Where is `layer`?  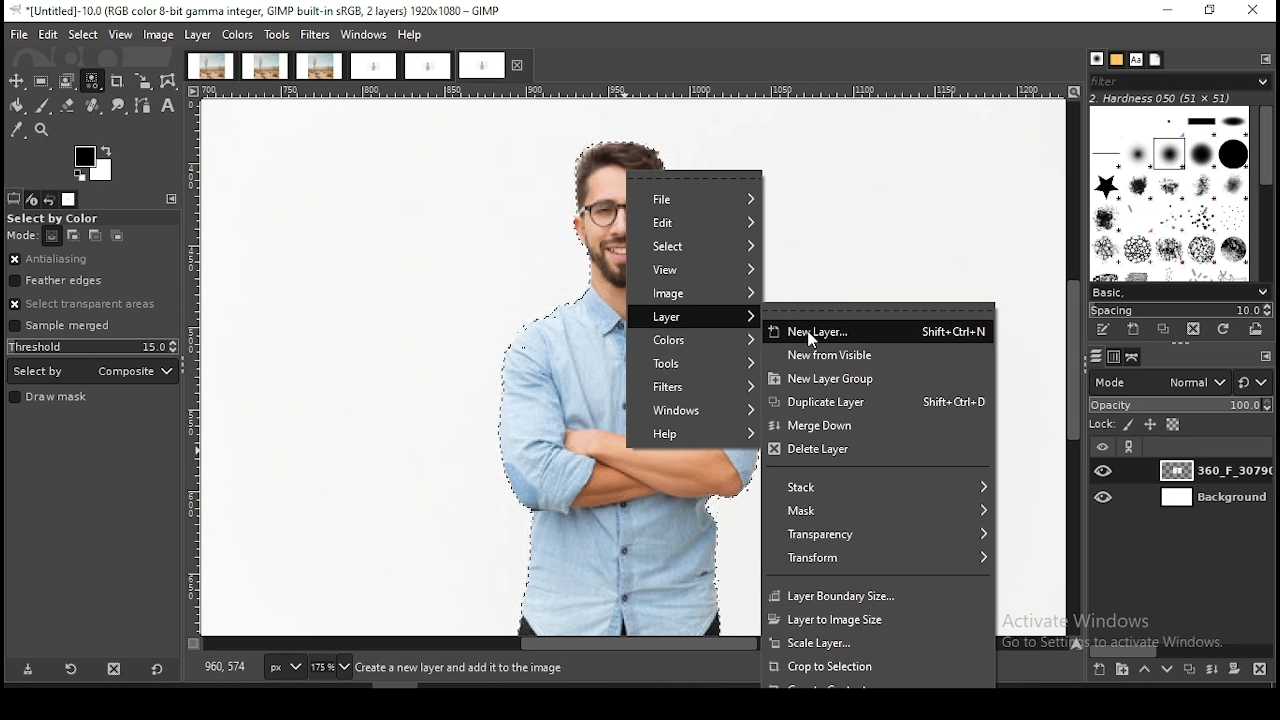 layer is located at coordinates (1212, 497).